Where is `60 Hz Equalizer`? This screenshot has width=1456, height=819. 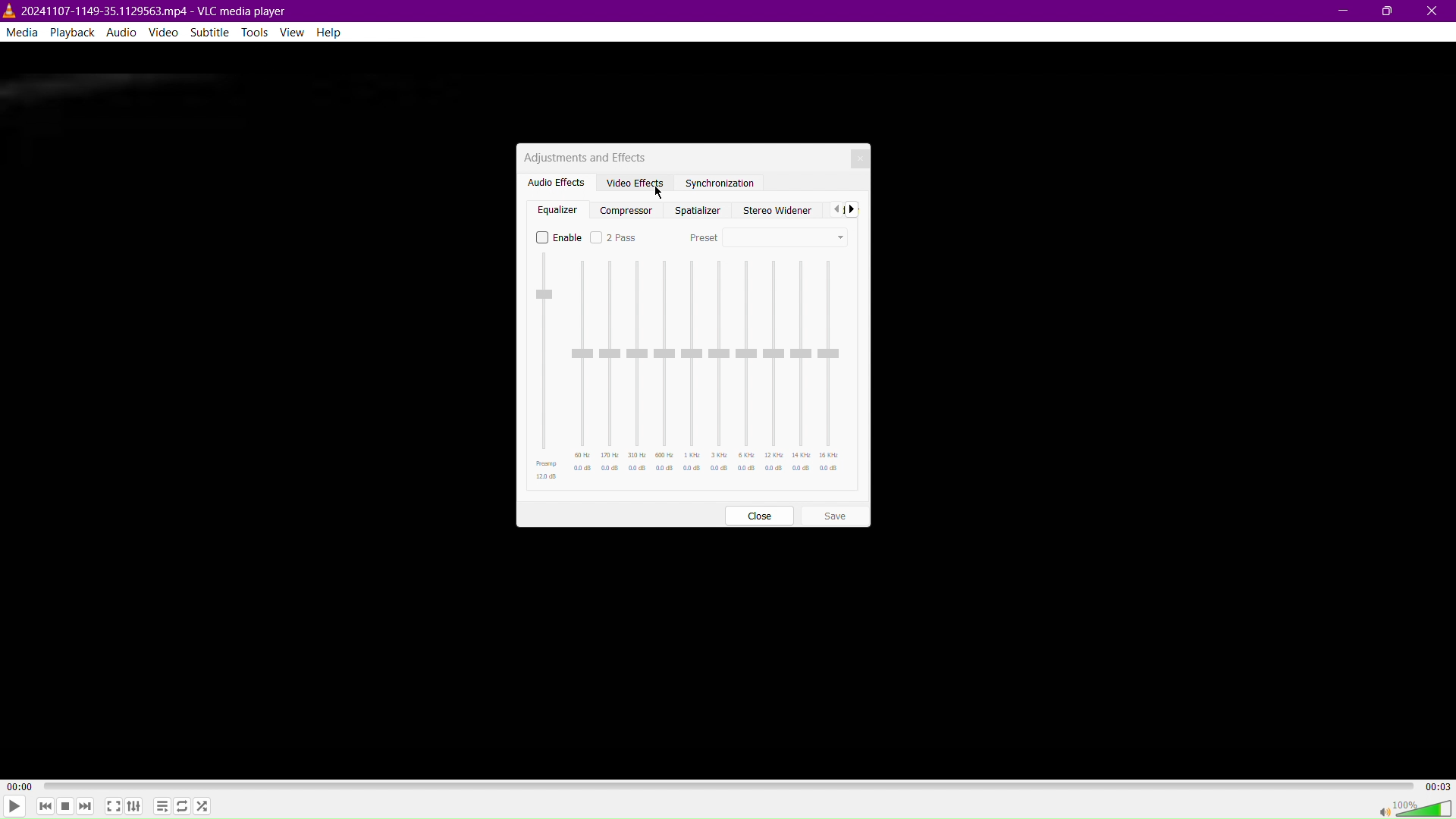 60 Hz Equalizer is located at coordinates (583, 369).